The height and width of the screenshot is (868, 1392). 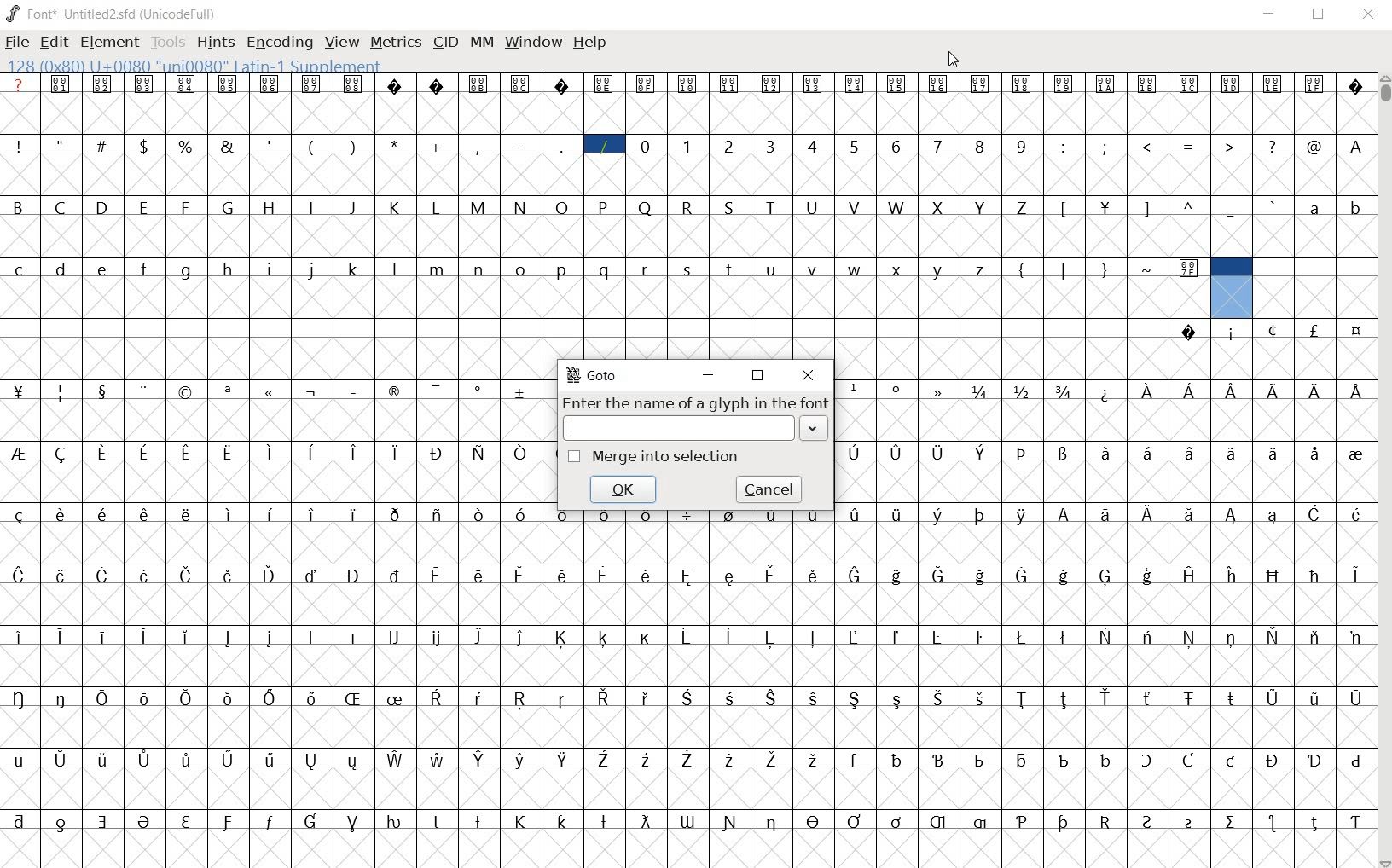 I want to click on -, so click(x=519, y=145).